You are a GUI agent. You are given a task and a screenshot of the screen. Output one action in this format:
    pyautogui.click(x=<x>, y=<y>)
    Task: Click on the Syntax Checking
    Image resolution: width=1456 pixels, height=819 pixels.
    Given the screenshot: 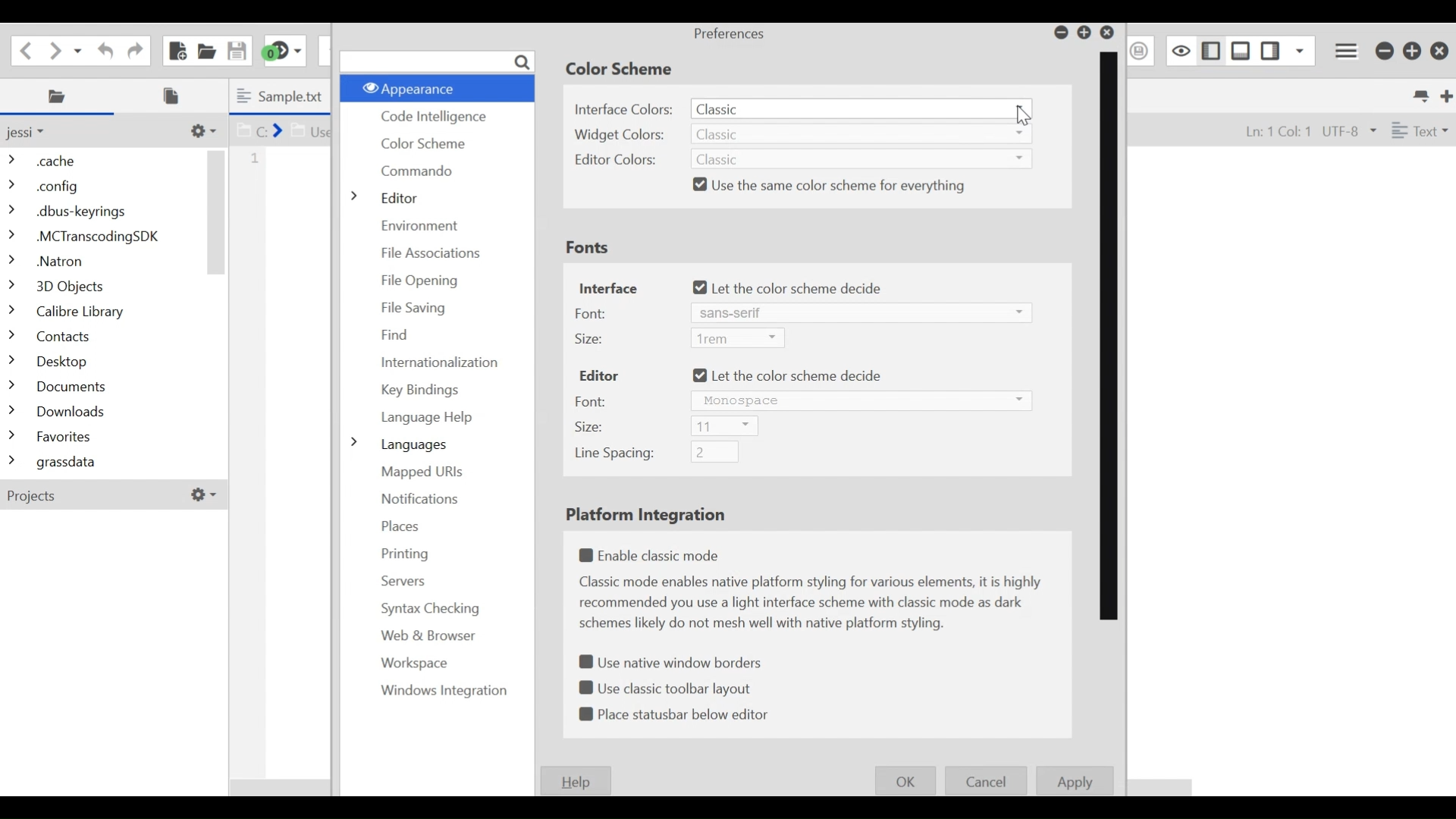 What is the action you would take?
    pyautogui.click(x=425, y=609)
    